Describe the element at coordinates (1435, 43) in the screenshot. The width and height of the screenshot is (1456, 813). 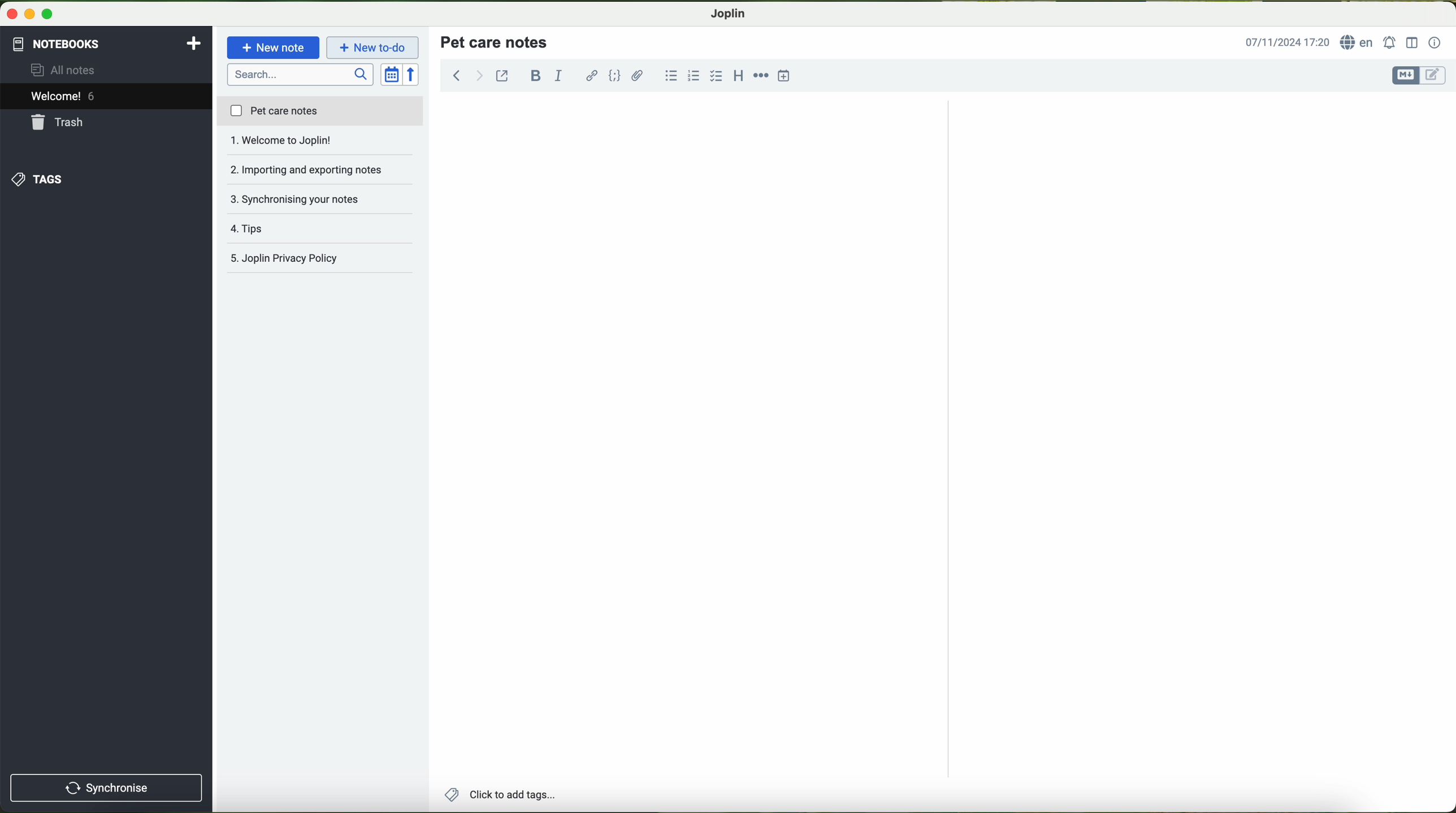
I see `note properties` at that location.